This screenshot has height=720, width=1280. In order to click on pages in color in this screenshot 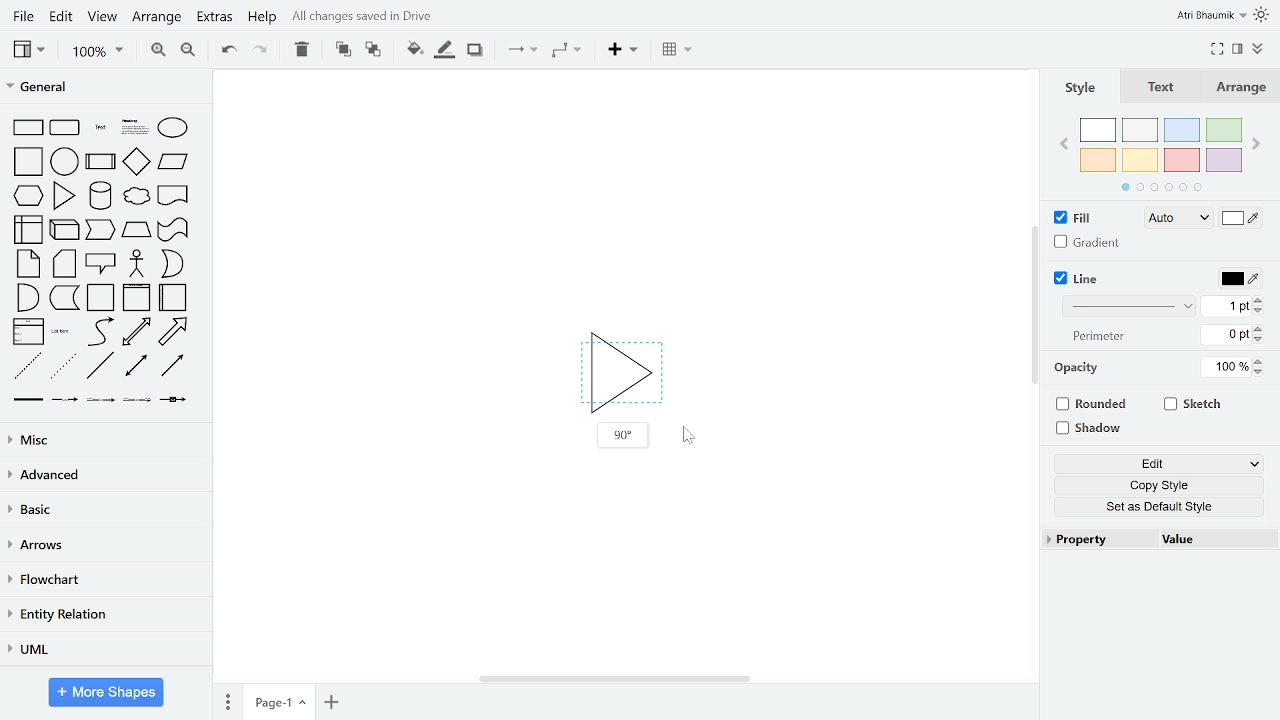, I will do `click(1161, 187)`.